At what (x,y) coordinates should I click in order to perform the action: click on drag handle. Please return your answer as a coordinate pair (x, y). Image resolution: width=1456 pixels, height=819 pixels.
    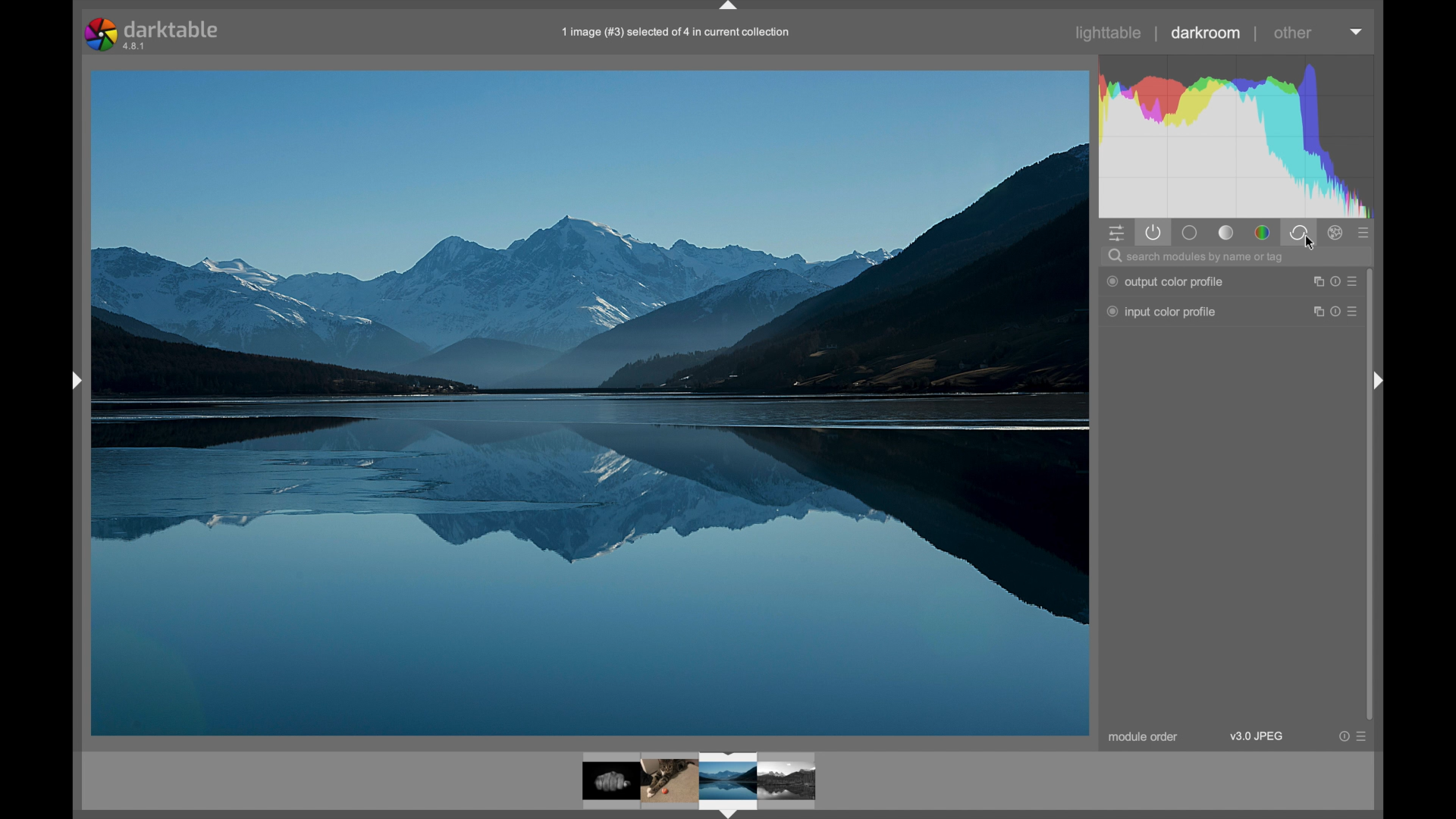
    Looking at the image, I should click on (74, 382).